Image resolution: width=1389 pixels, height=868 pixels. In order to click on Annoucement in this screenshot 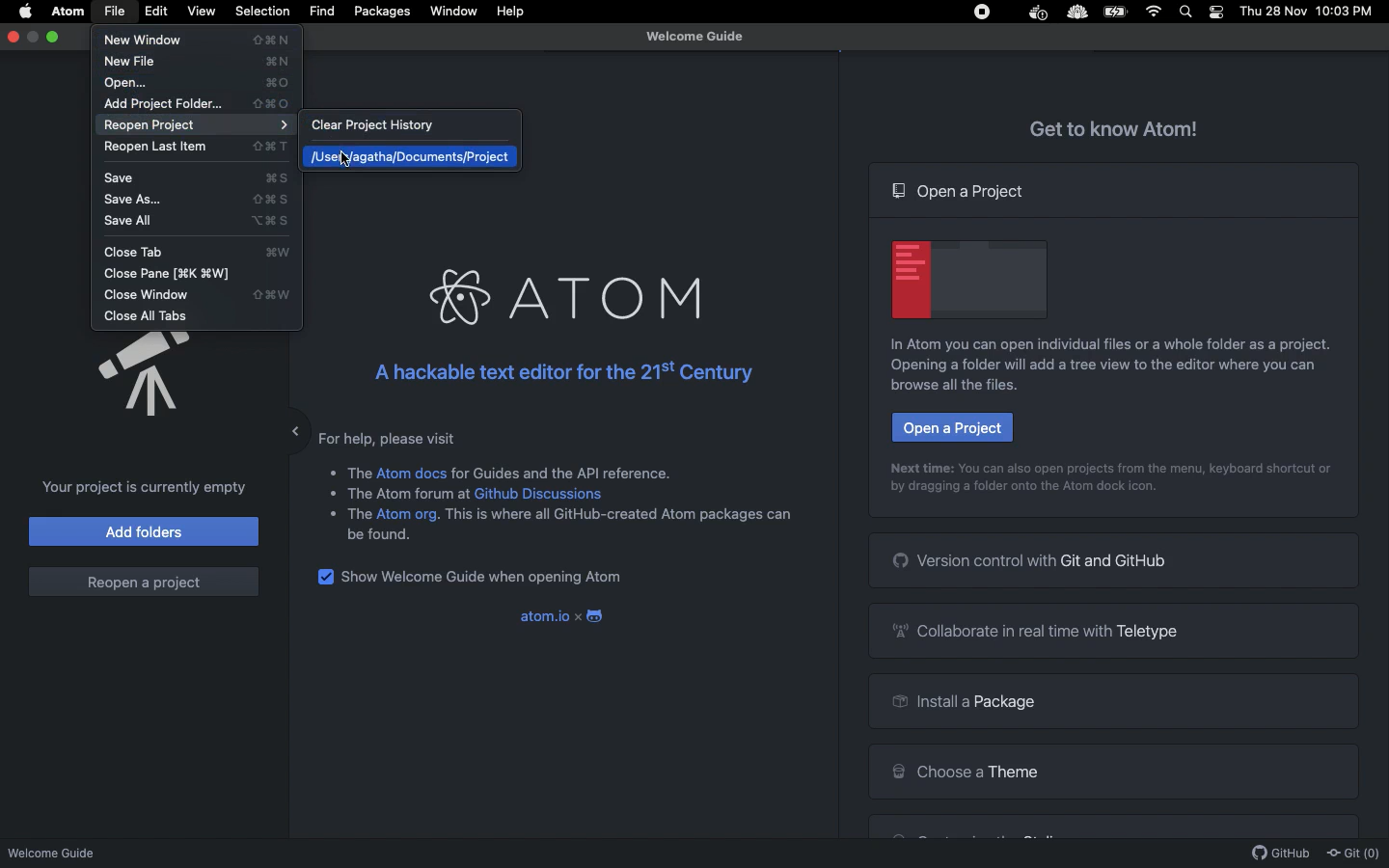, I will do `click(125, 376)`.